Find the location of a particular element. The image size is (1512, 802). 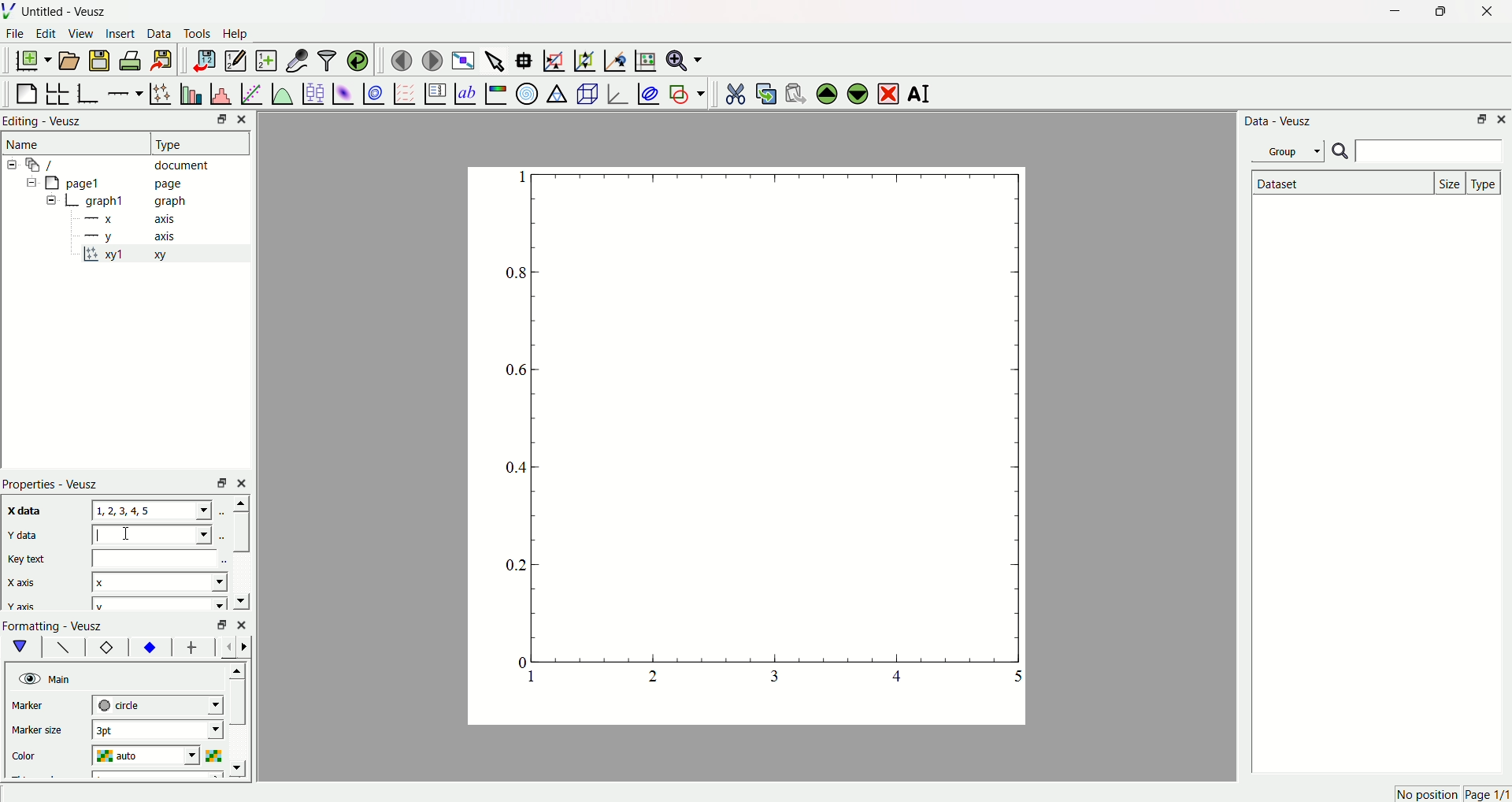

3pt is located at coordinates (157, 730).